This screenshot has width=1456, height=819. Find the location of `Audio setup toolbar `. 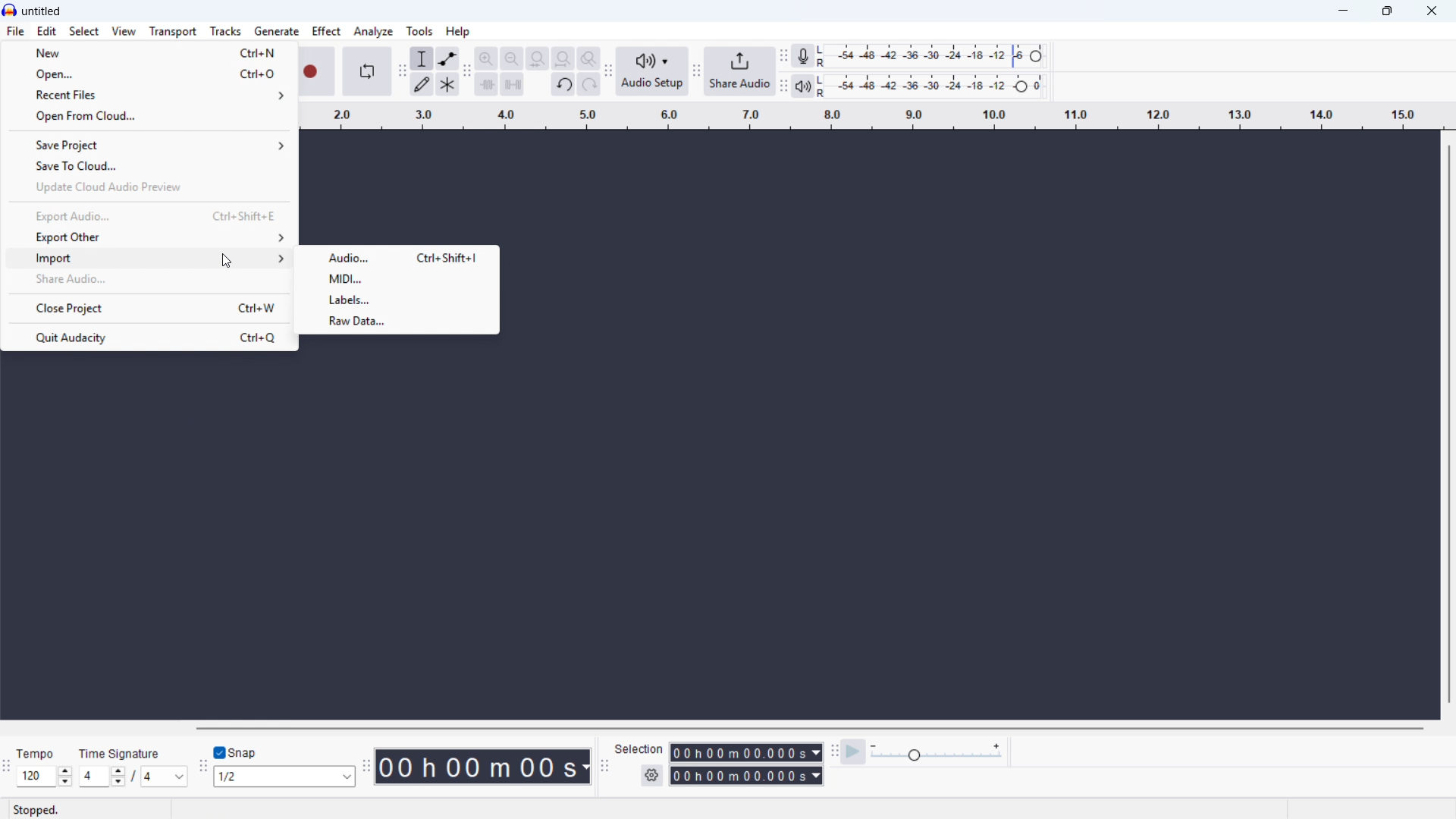

Audio setup toolbar  is located at coordinates (607, 72).